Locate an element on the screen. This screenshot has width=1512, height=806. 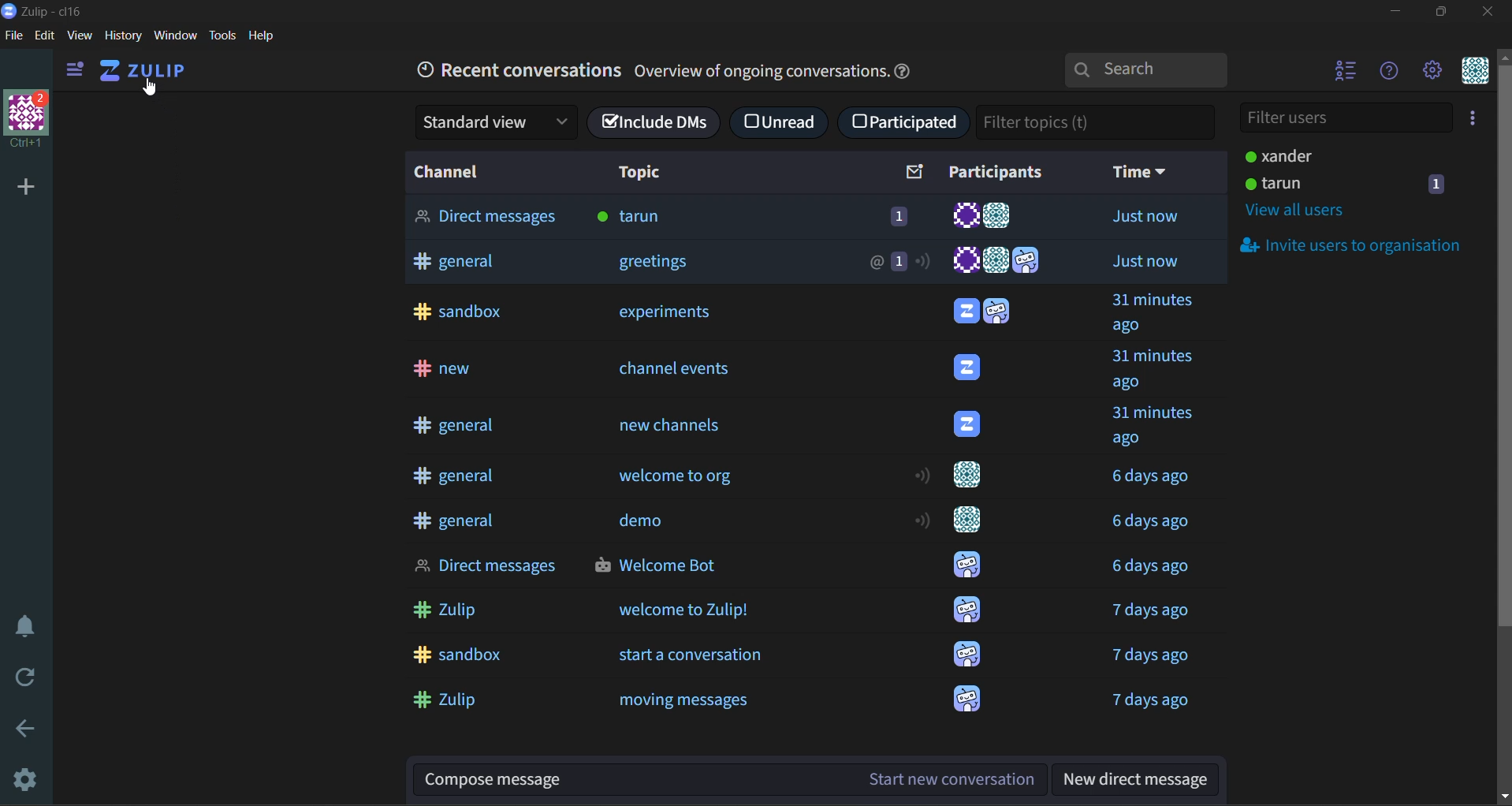
notification is located at coordinates (922, 263).